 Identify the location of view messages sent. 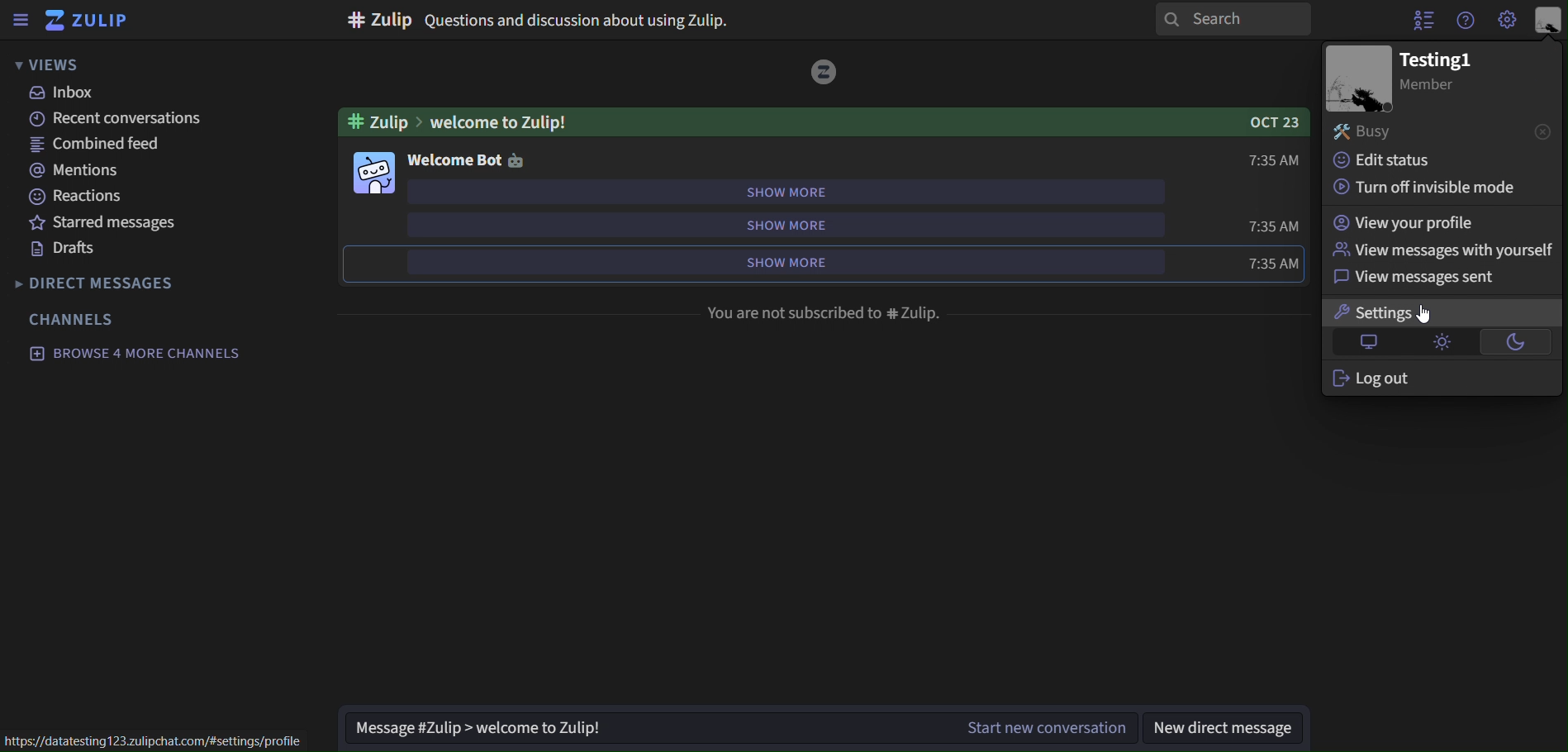
(1443, 278).